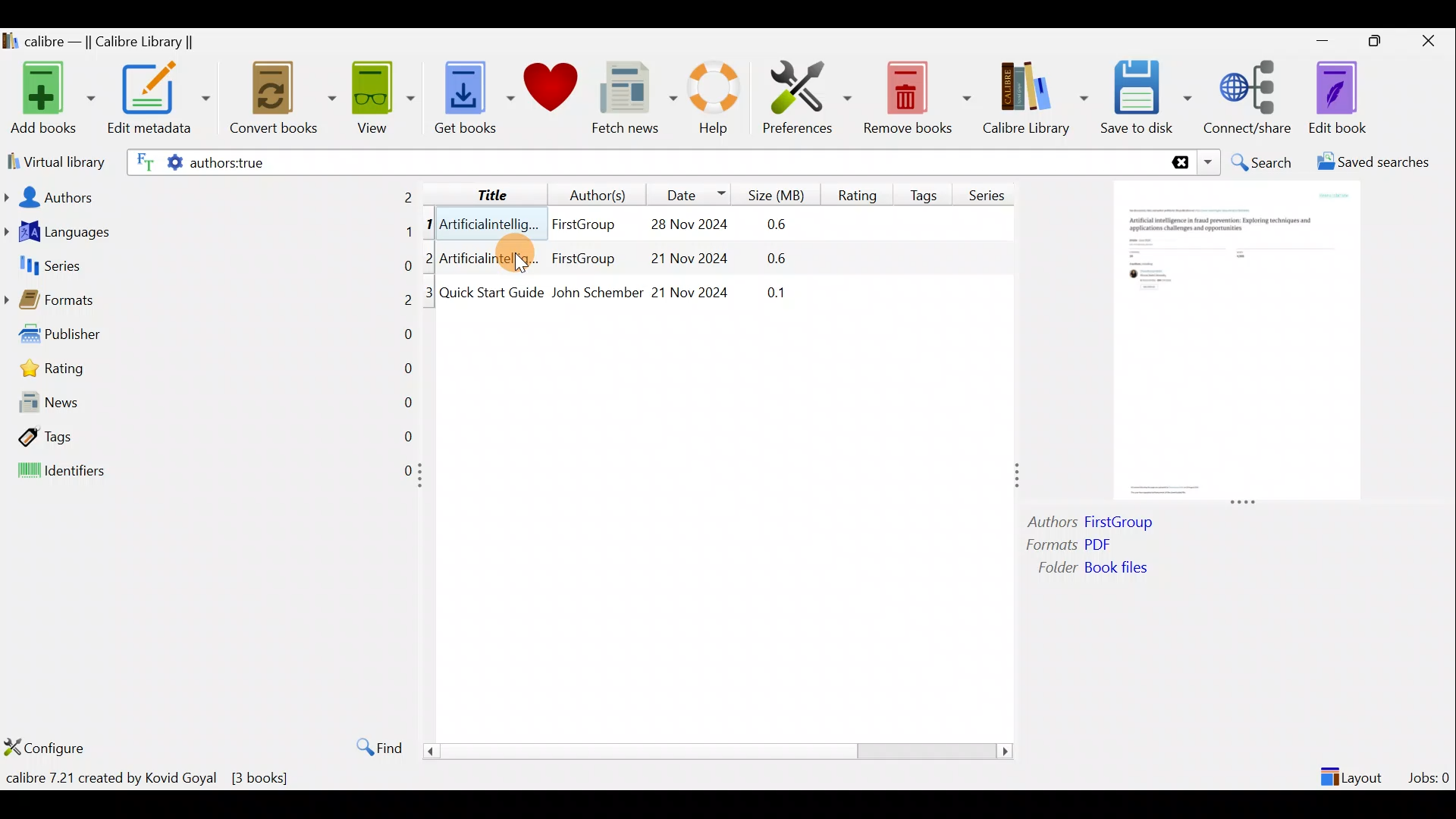  I want to click on Calibre library, so click(1034, 95).